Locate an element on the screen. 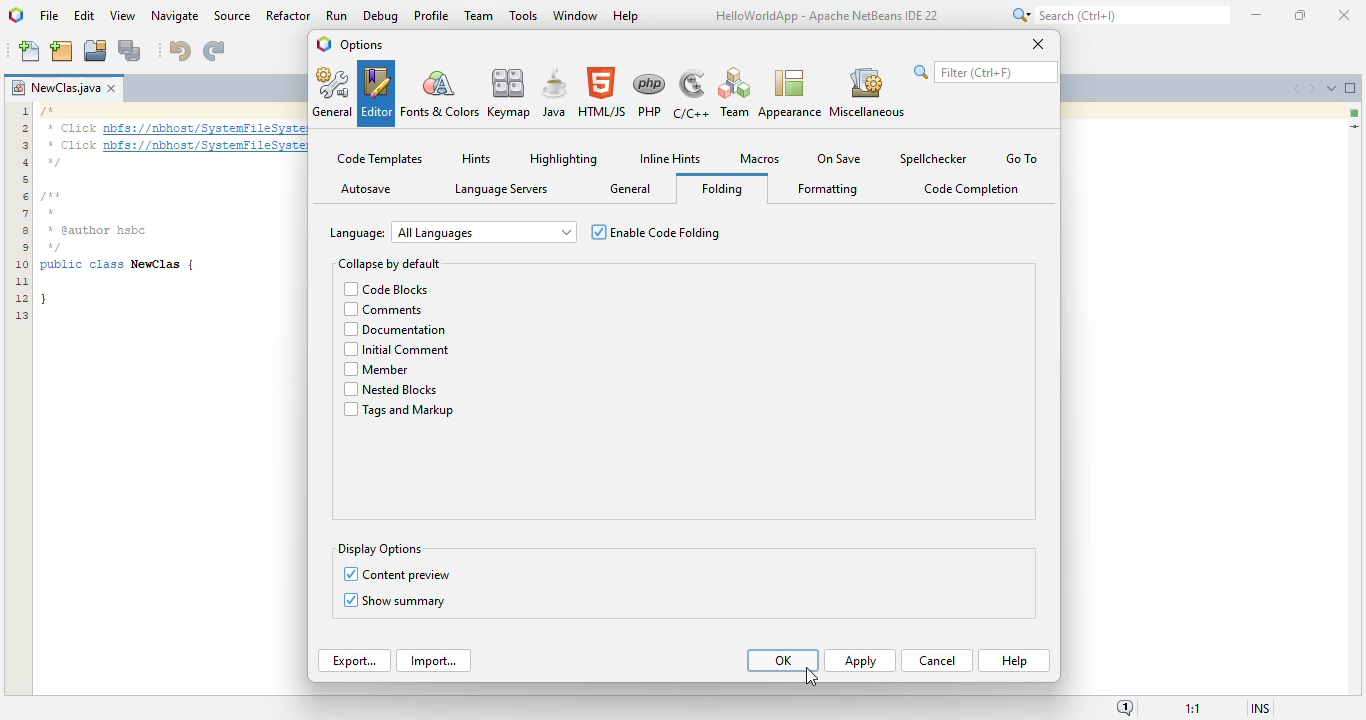 The height and width of the screenshot is (720, 1366). search is located at coordinates (1118, 15).